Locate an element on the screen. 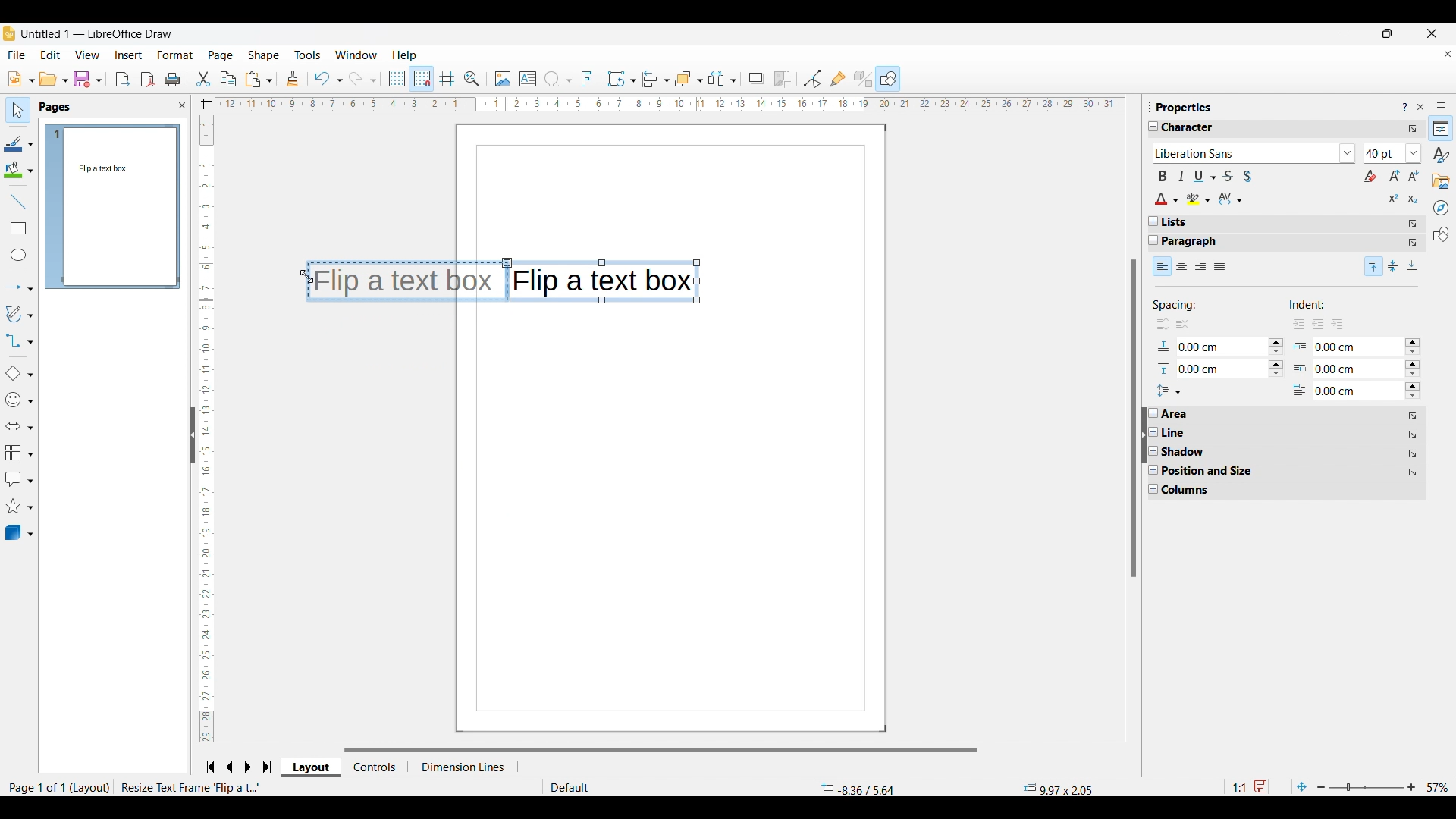 The height and width of the screenshot is (819, 1456). Page layout options is located at coordinates (309, 767).